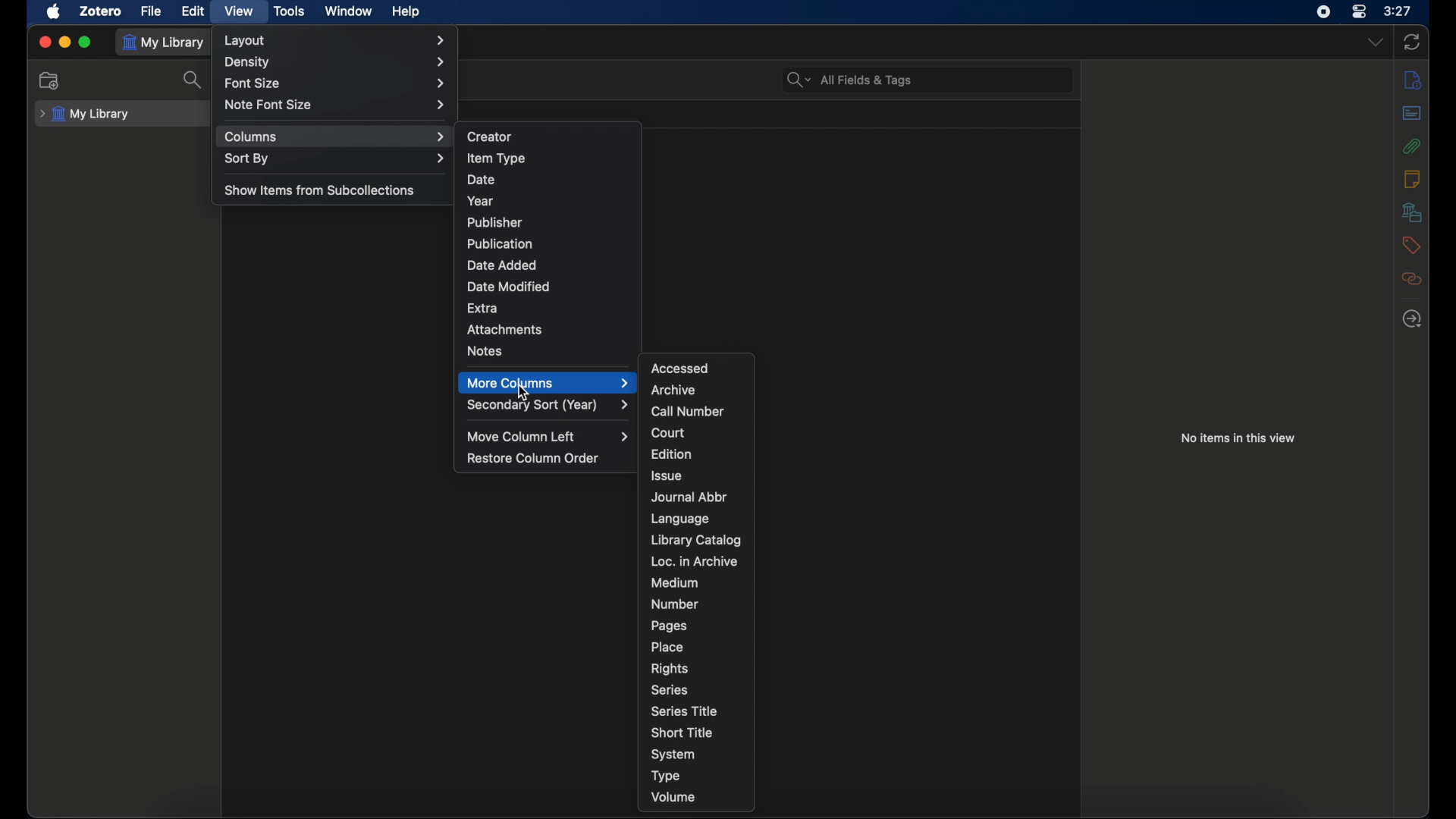 The width and height of the screenshot is (1456, 819). I want to click on publisher, so click(495, 222).